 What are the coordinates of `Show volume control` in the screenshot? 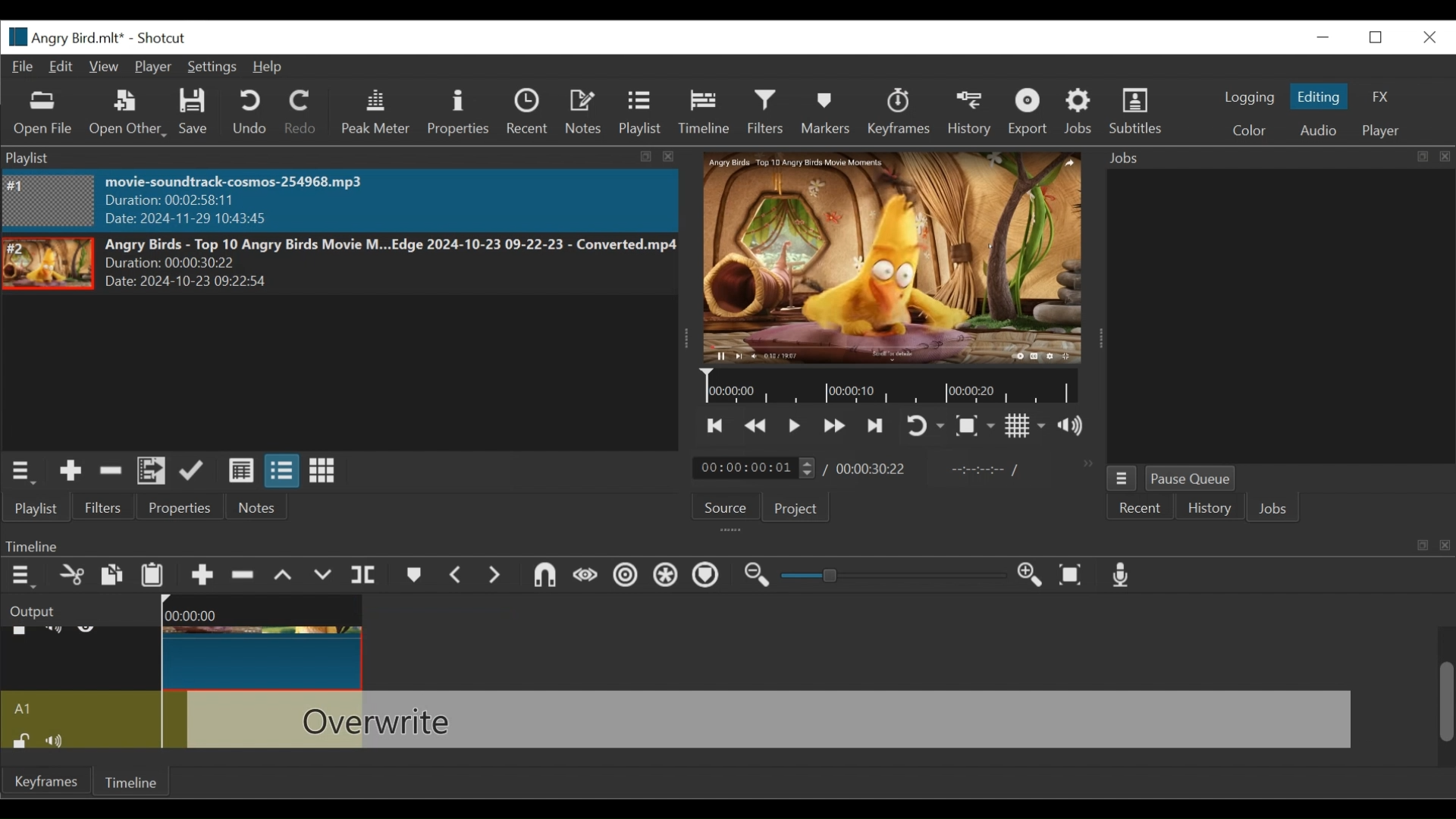 It's located at (1075, 428).